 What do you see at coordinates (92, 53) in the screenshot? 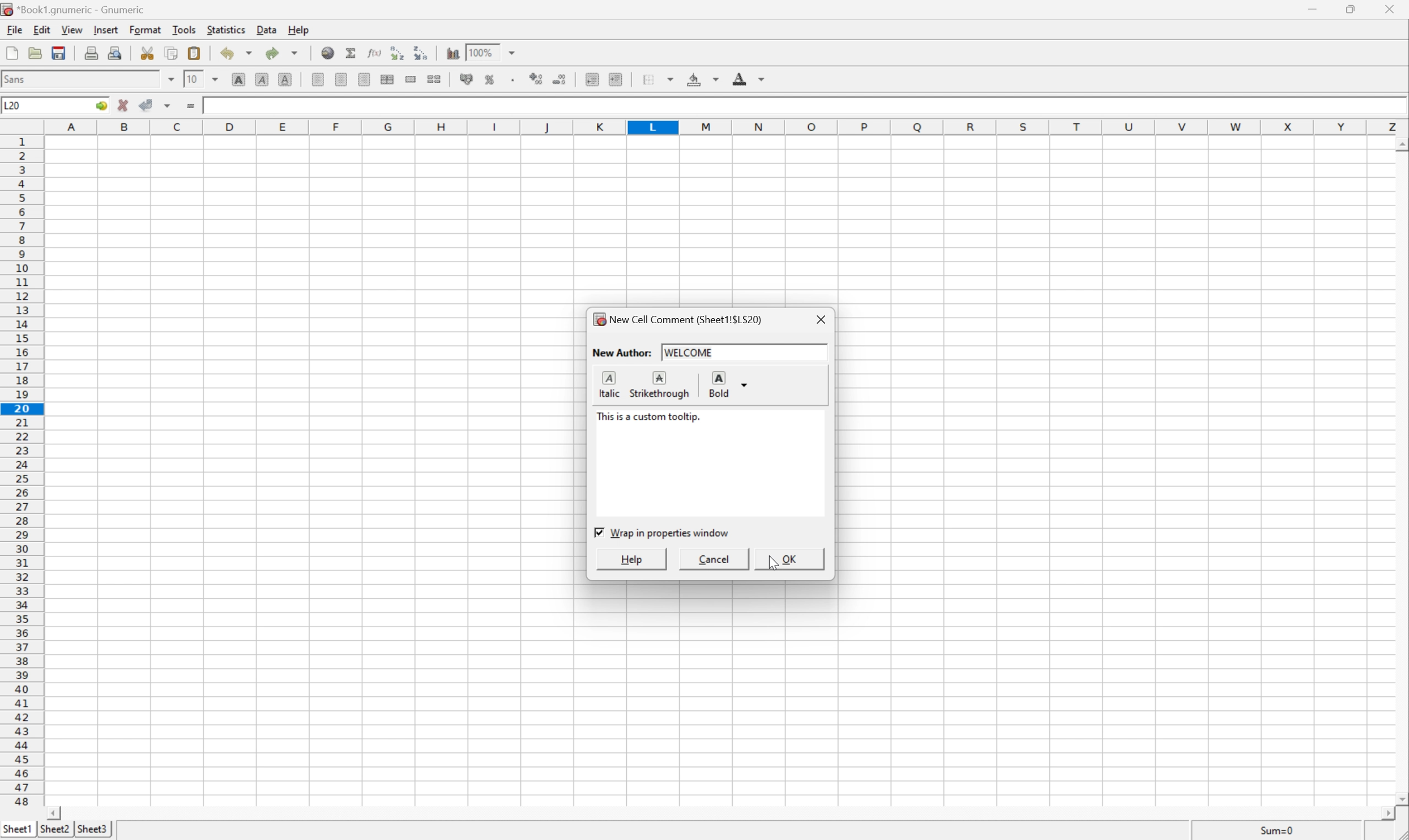
I see `Print current file` at bounding box center [92, 53].